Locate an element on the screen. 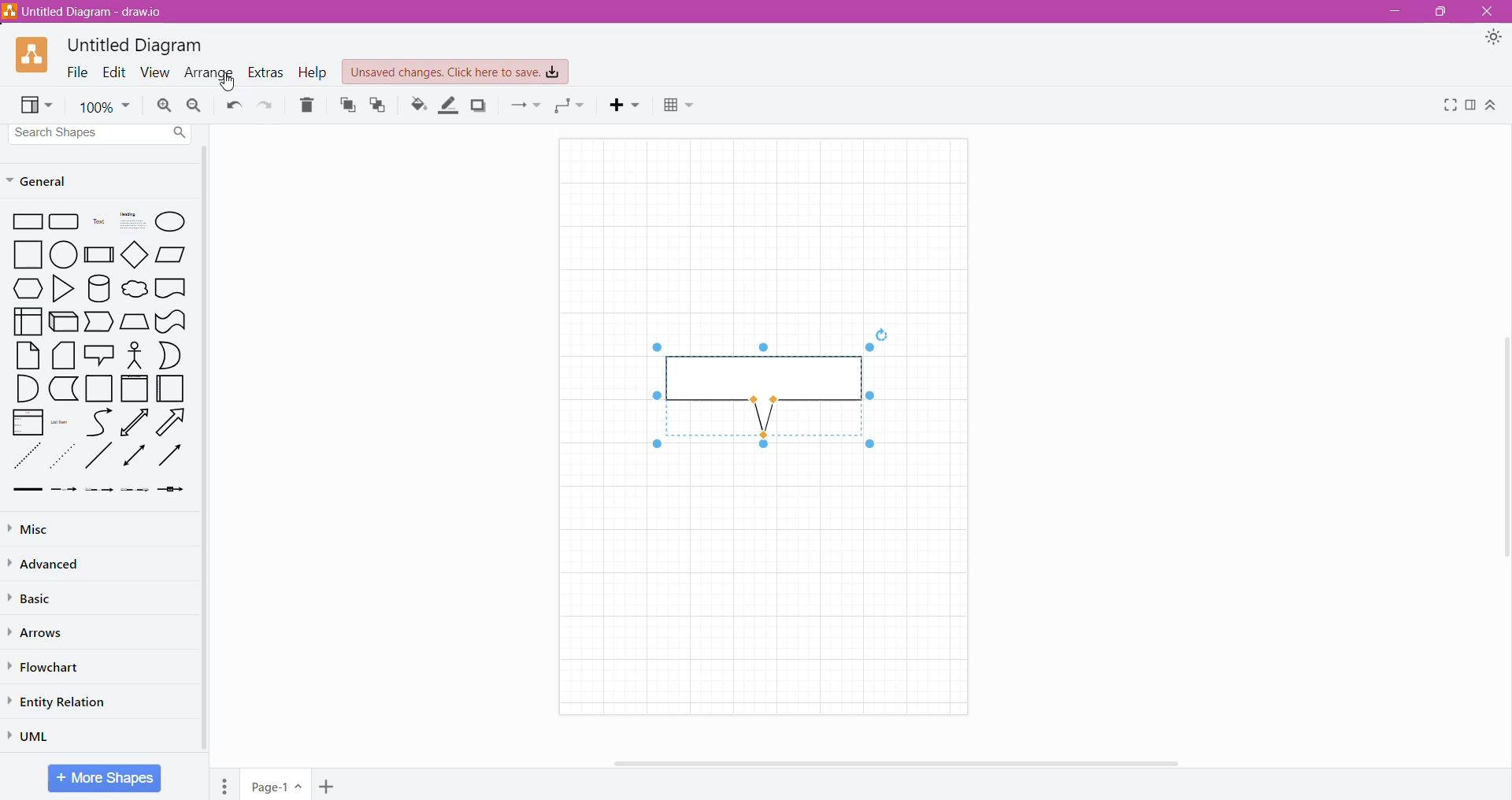  Line Color is located at coordinates (449, 105).